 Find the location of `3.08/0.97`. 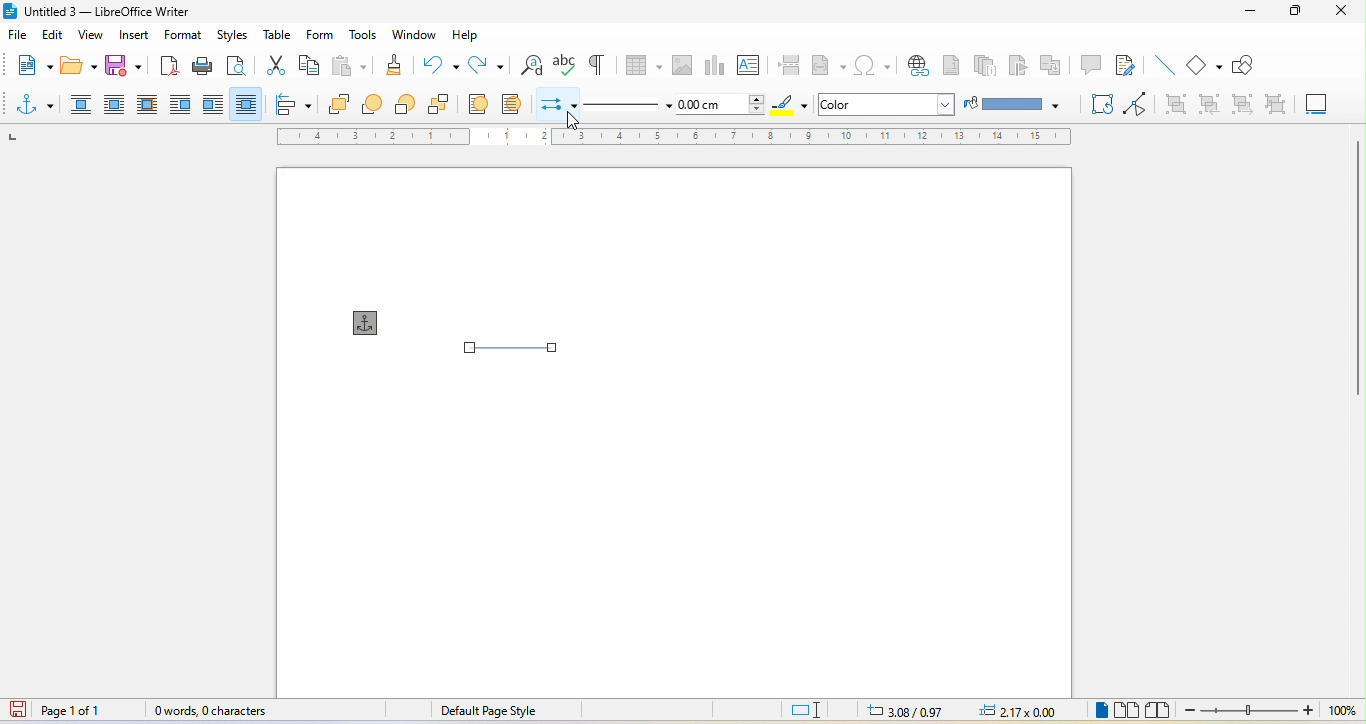

3.08/0.97 is located at coordinates (911, 710).